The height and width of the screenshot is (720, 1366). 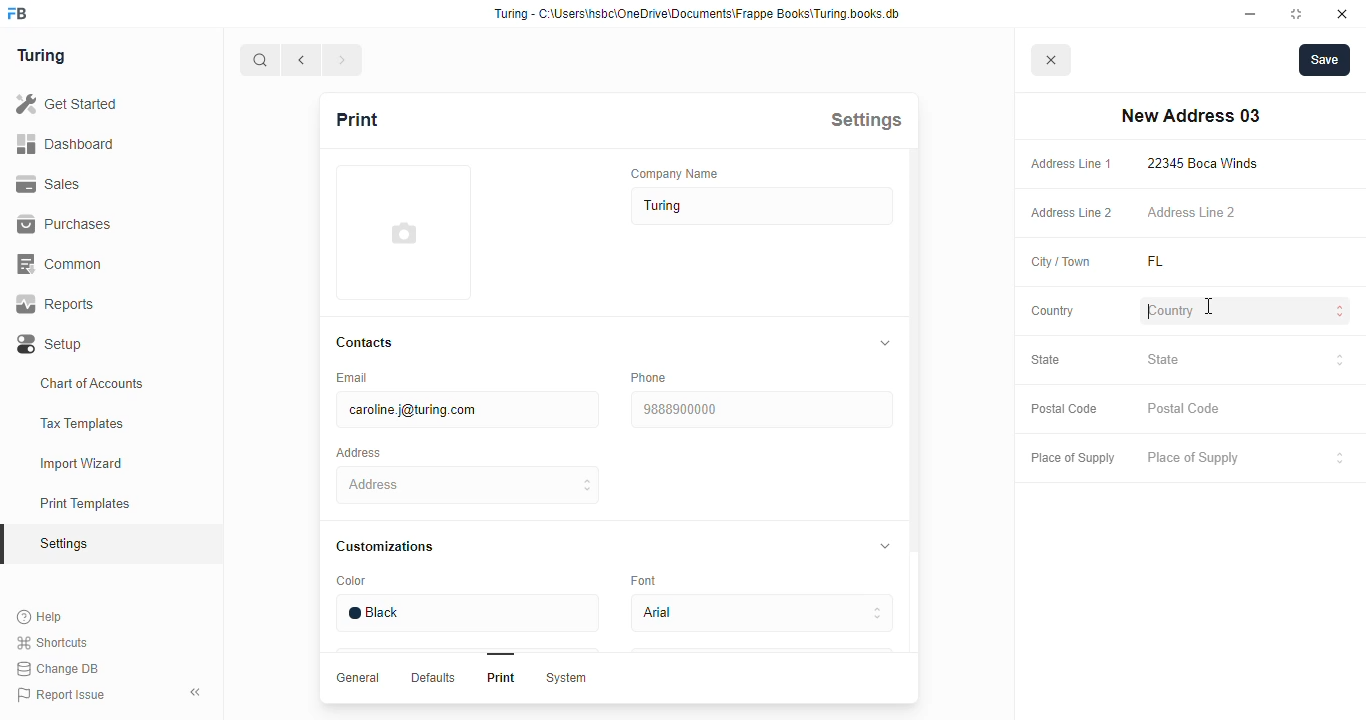 I want to click on company name, so click(x=675, y=173).